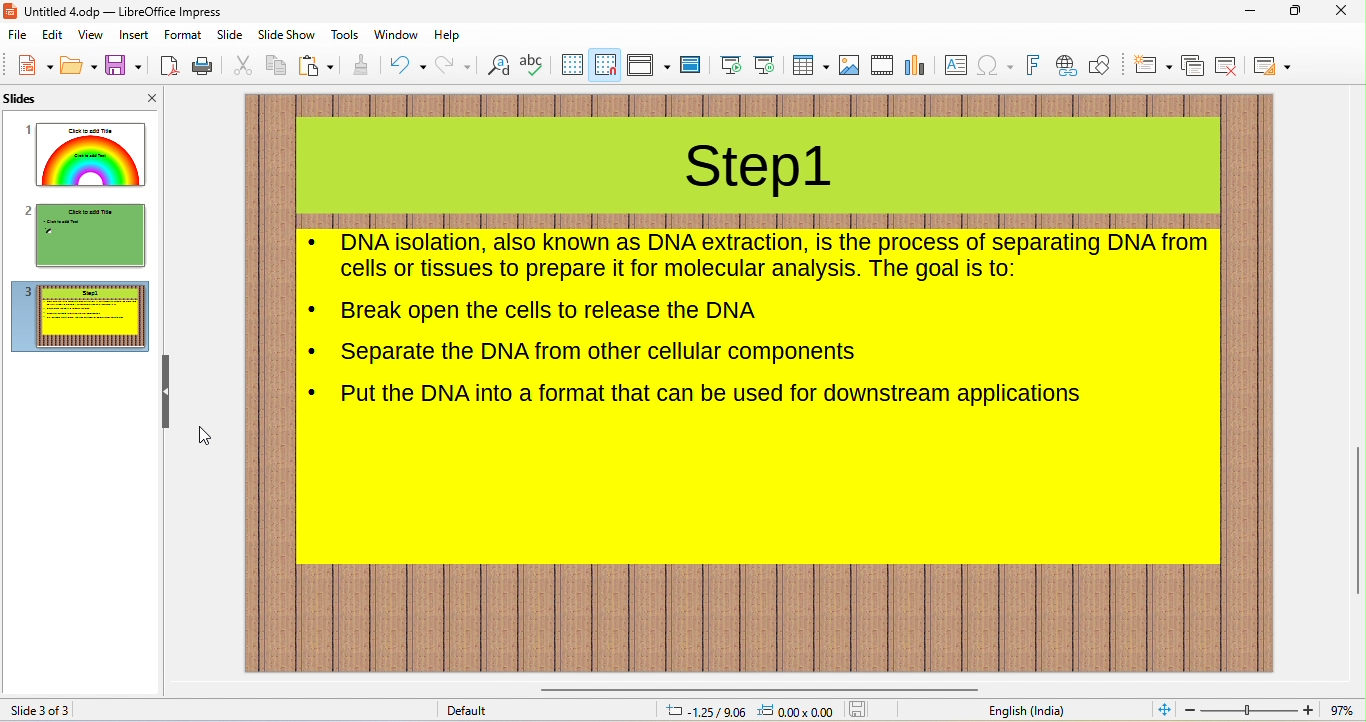  Describe the element at coordinates (314, 309) in the screenshot. I see `Dotted list` at that location.